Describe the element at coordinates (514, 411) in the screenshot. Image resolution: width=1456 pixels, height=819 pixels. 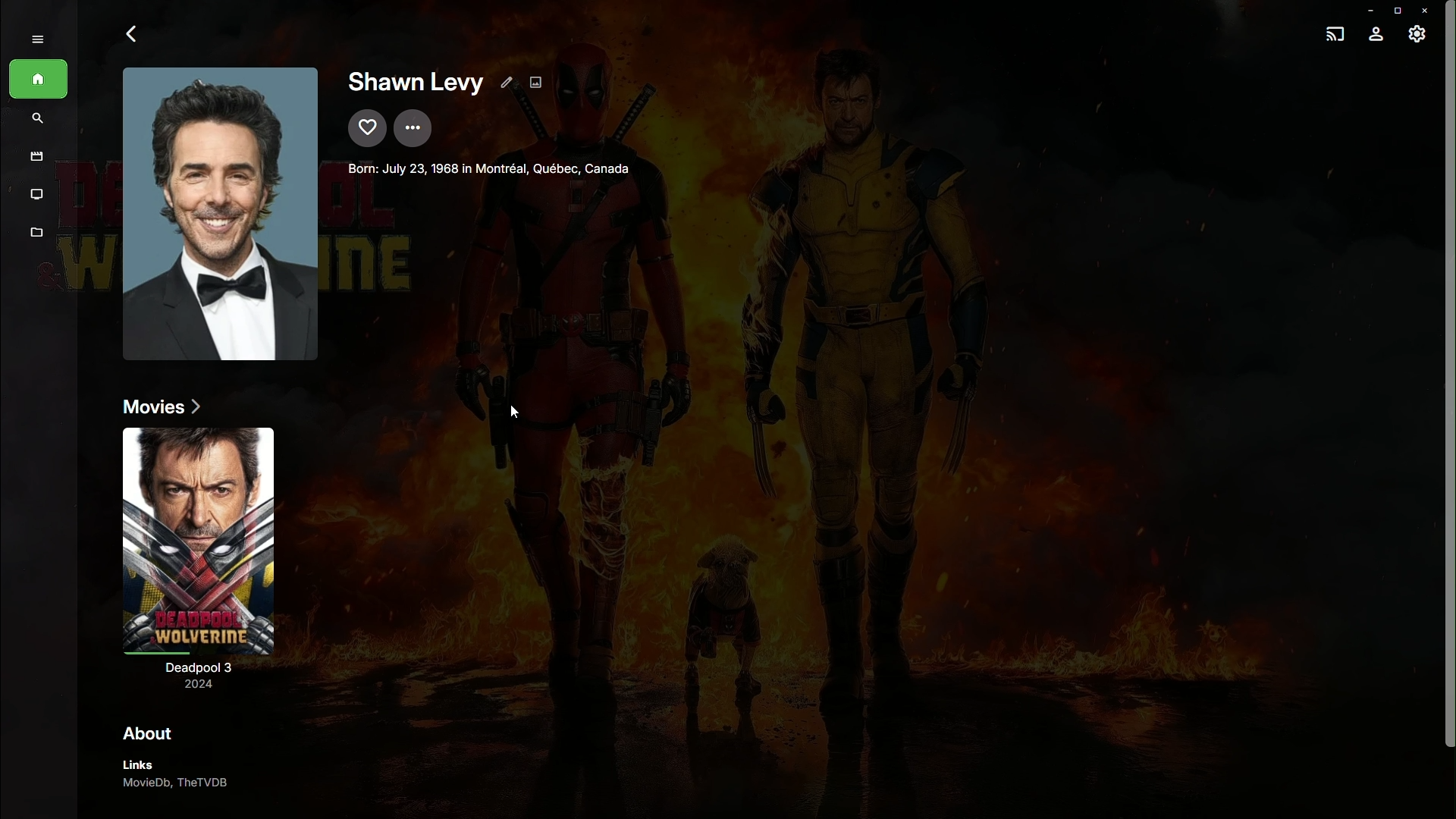
I see `Cursor` at that location.